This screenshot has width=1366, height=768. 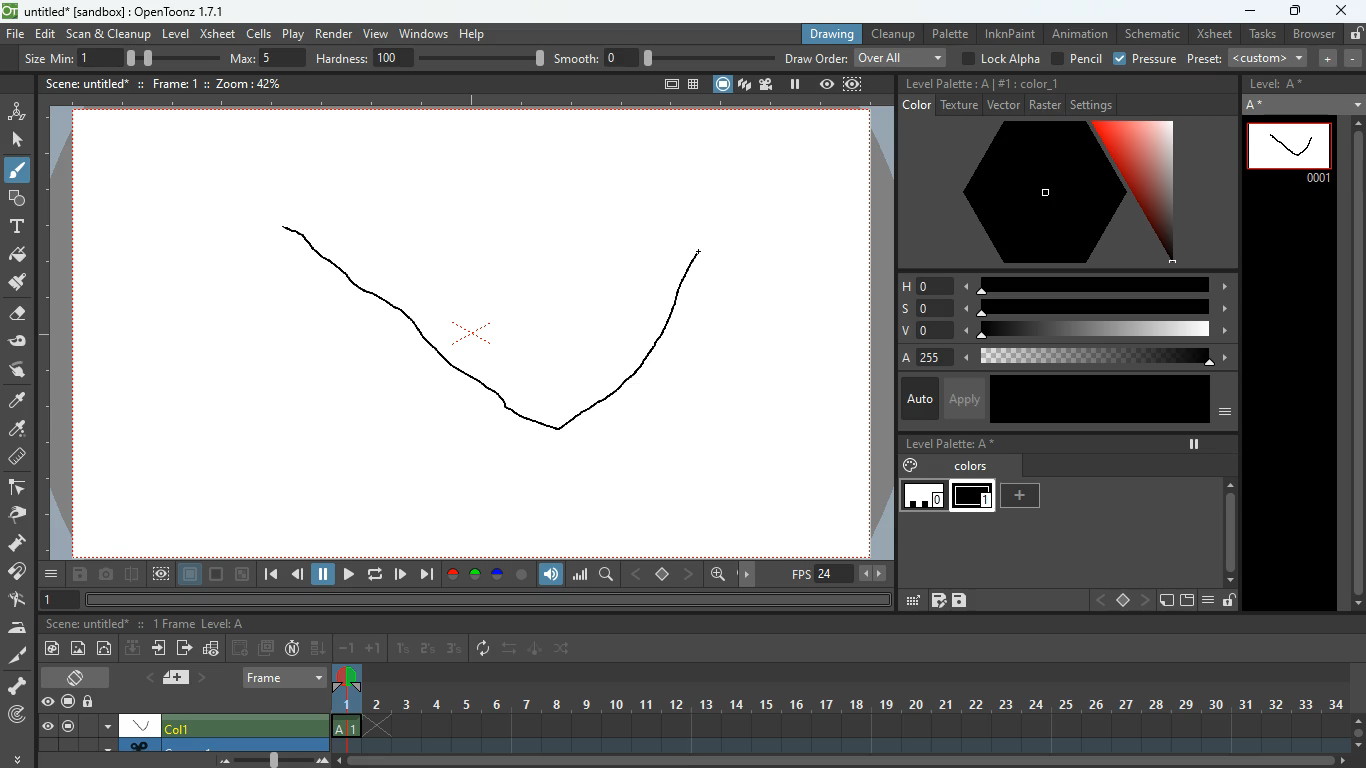 I want to click on scroll, so click(x=850, y=762).